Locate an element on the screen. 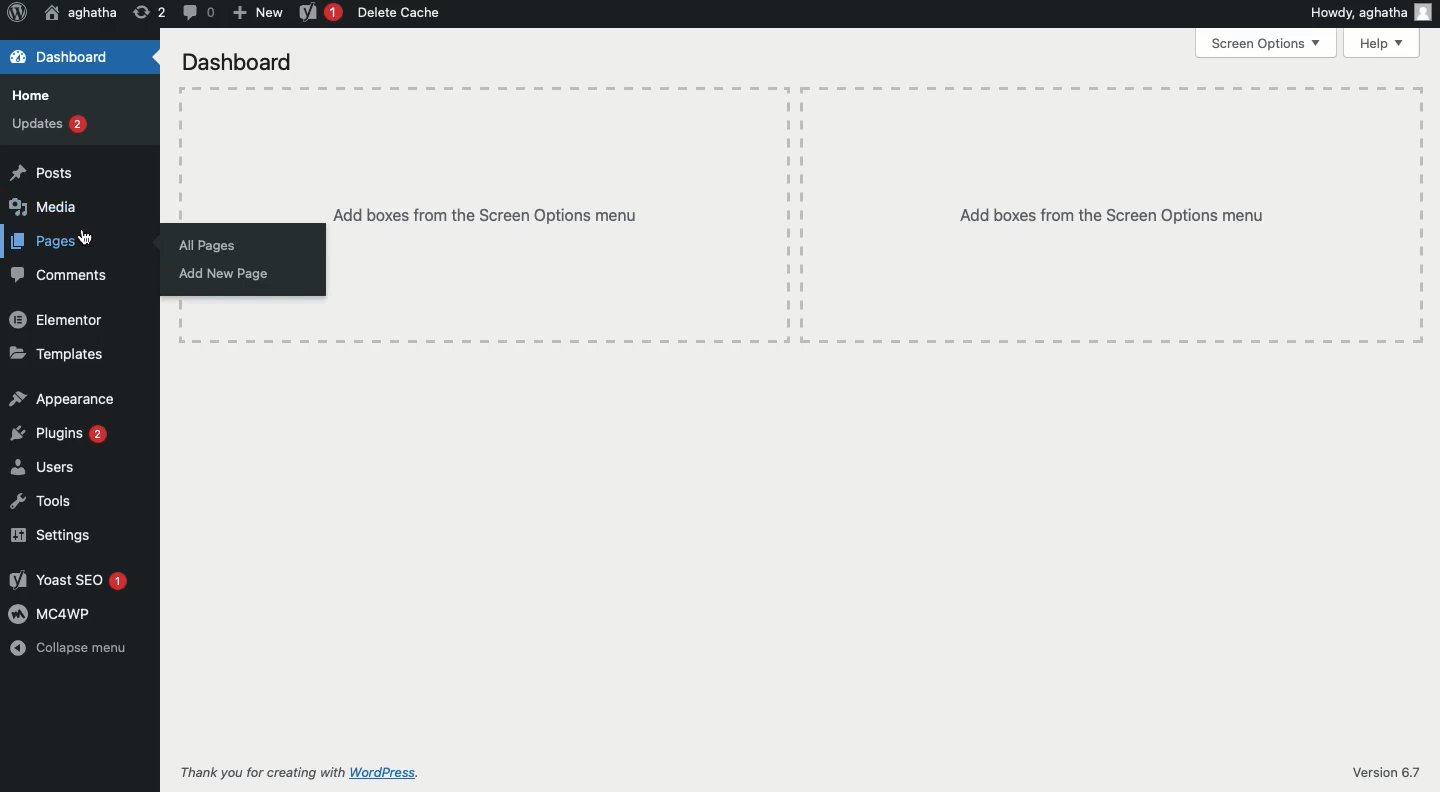 This screenshot has width=1440, height=792. Settings is located at coordinates (47, 536).